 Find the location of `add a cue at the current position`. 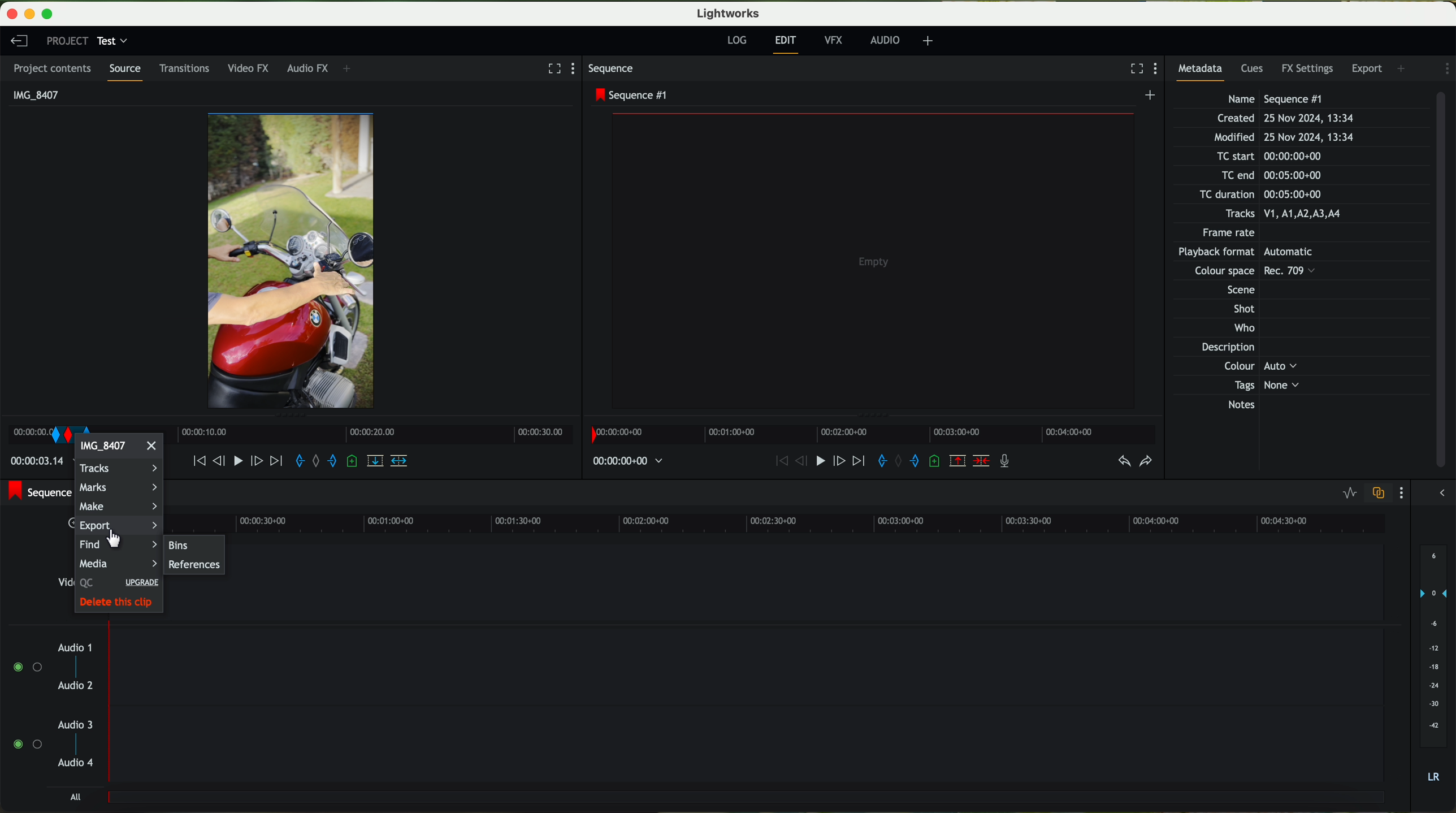

add a cue at the current position is located at coordinates (353, 462).